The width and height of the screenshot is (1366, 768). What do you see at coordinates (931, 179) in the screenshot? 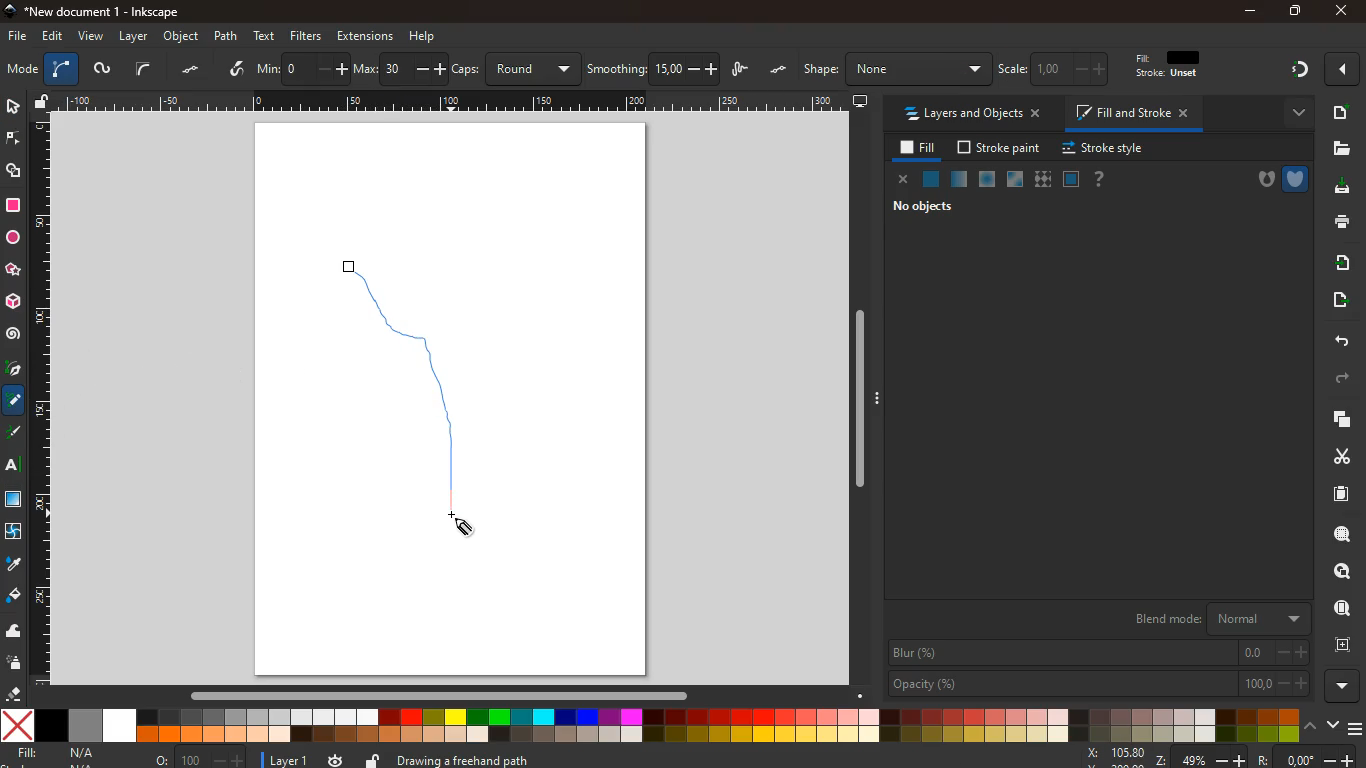
I see `normal` at bounding box center [931, 179].